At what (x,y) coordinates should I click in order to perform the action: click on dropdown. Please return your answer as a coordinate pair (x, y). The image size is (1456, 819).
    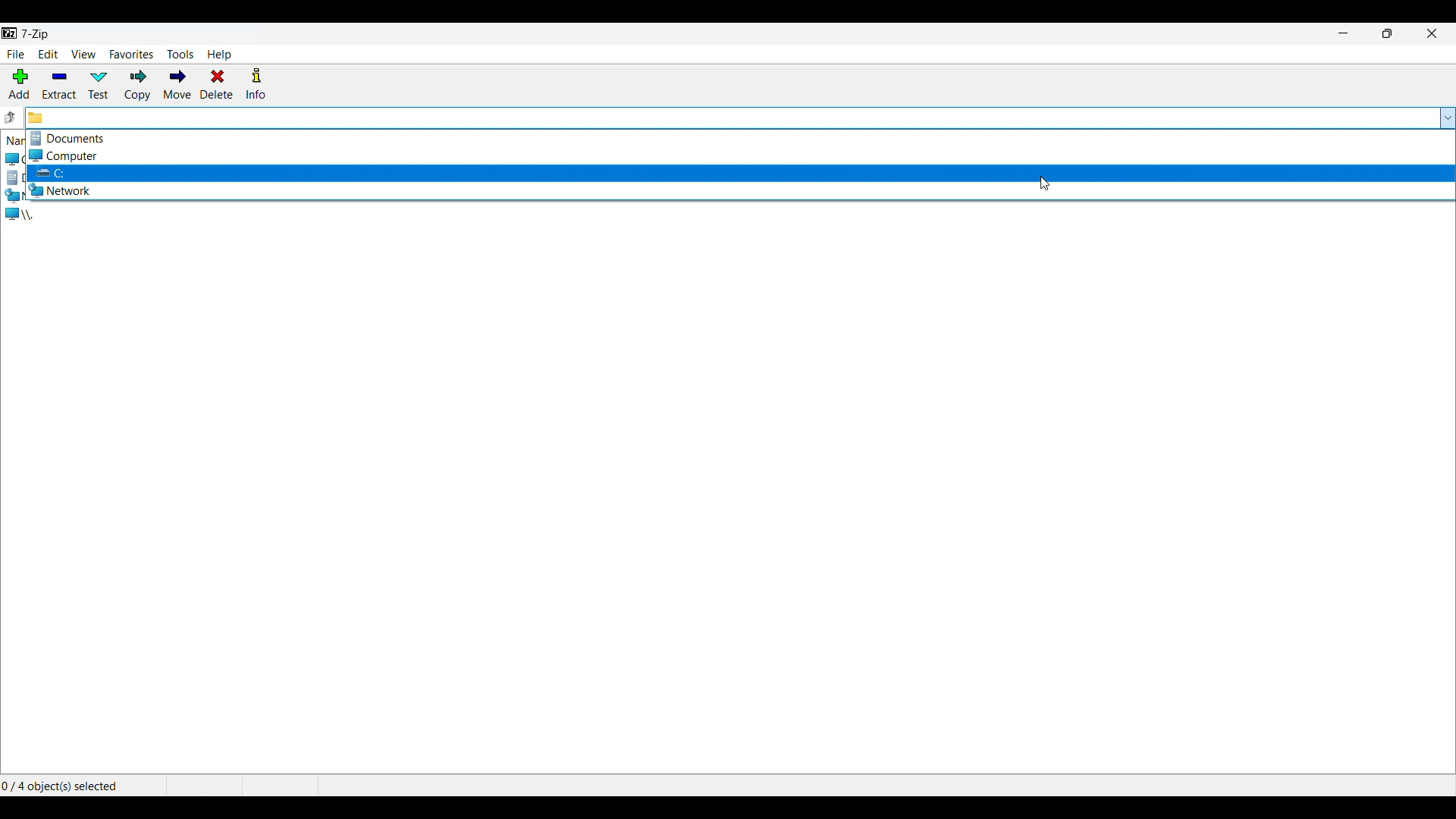
    Looking at the image, I should click on (1446, 118).